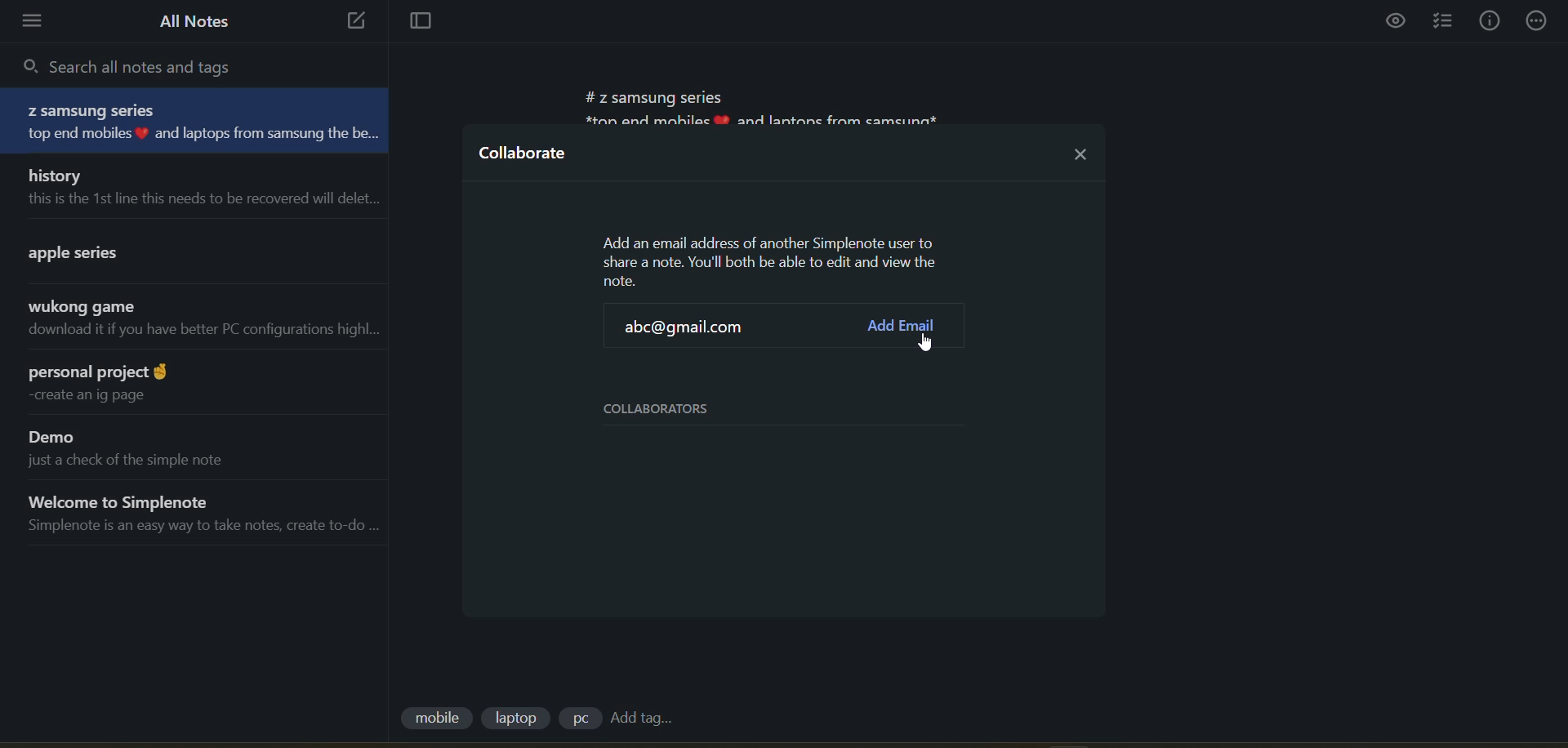  Describe the element at coordinates (691, 329) in the screenshot. I see `email added` at that location.